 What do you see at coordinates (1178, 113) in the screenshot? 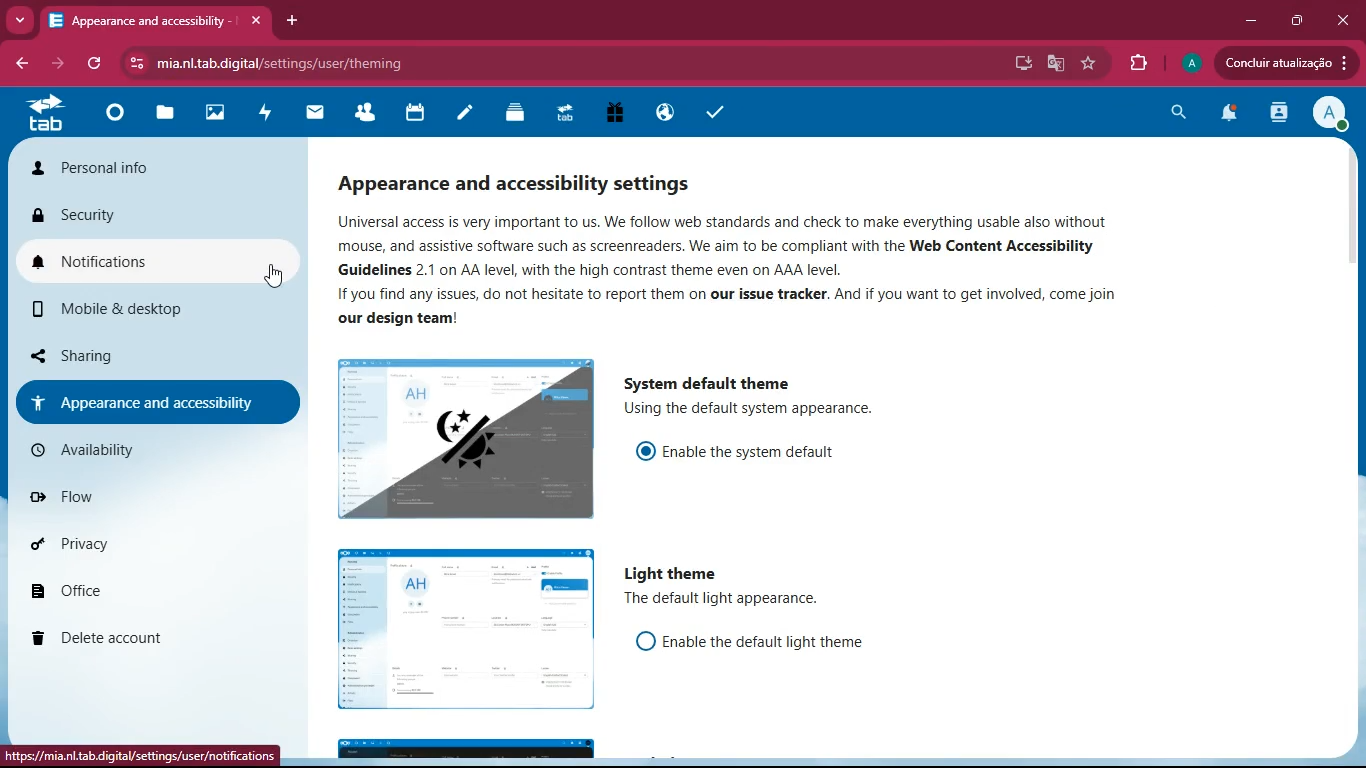
I see `search` at bounding box center [1178, 113].